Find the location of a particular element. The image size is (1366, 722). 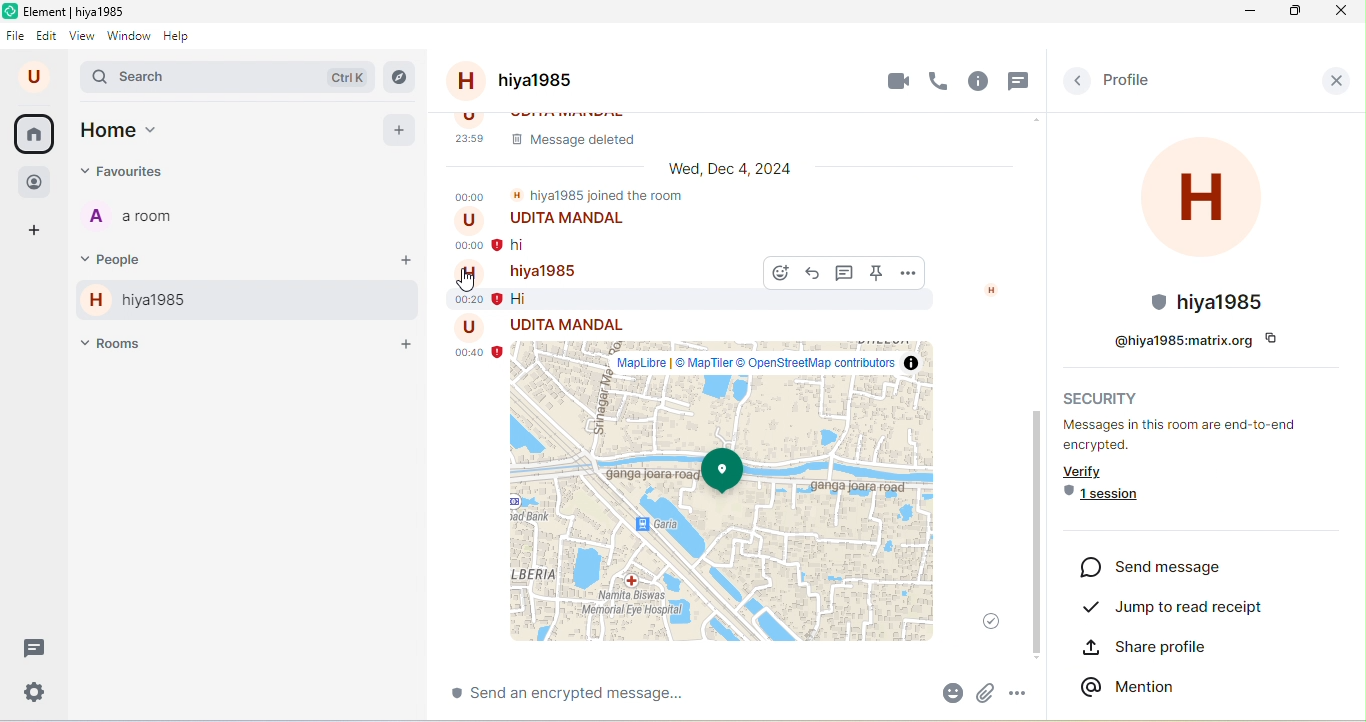

file is located at coordinates (15, 37).